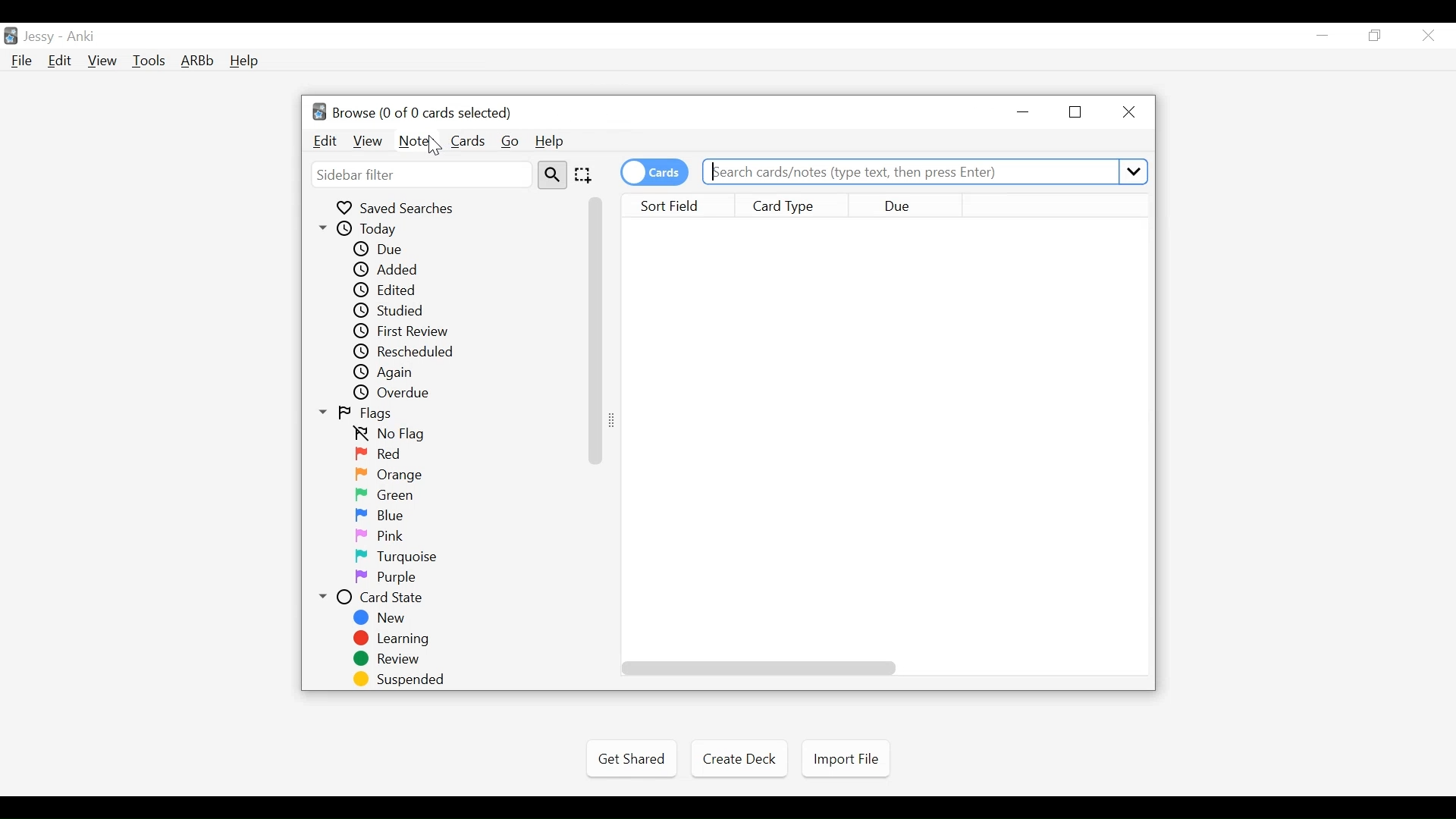 The image size is (1456, 819). Describe the element at coordinates (400, 679) in the screenshot. I see `Suspended` at that location.